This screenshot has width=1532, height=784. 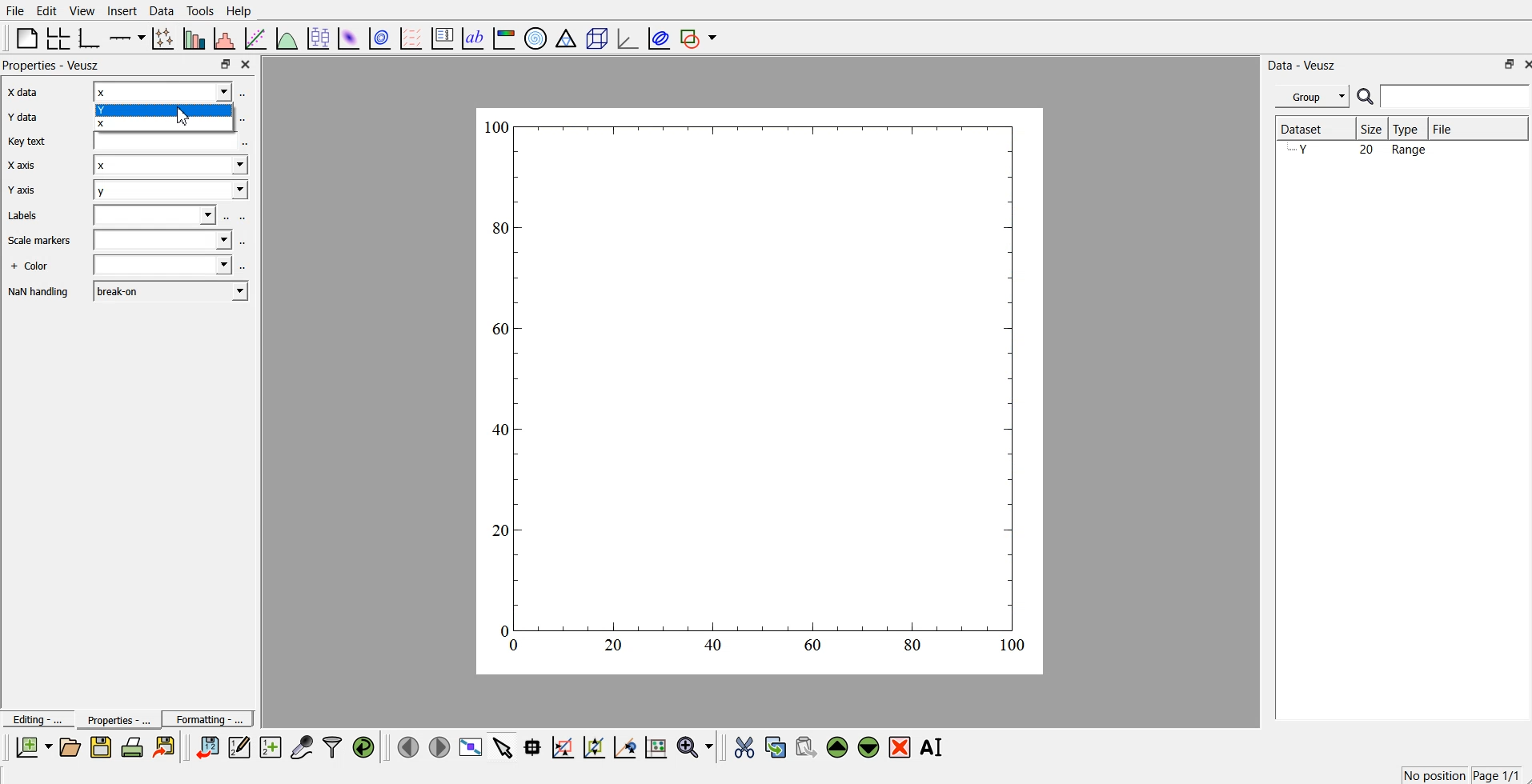 I want to click on click to reset graph axes, so click(x=657, y=746).